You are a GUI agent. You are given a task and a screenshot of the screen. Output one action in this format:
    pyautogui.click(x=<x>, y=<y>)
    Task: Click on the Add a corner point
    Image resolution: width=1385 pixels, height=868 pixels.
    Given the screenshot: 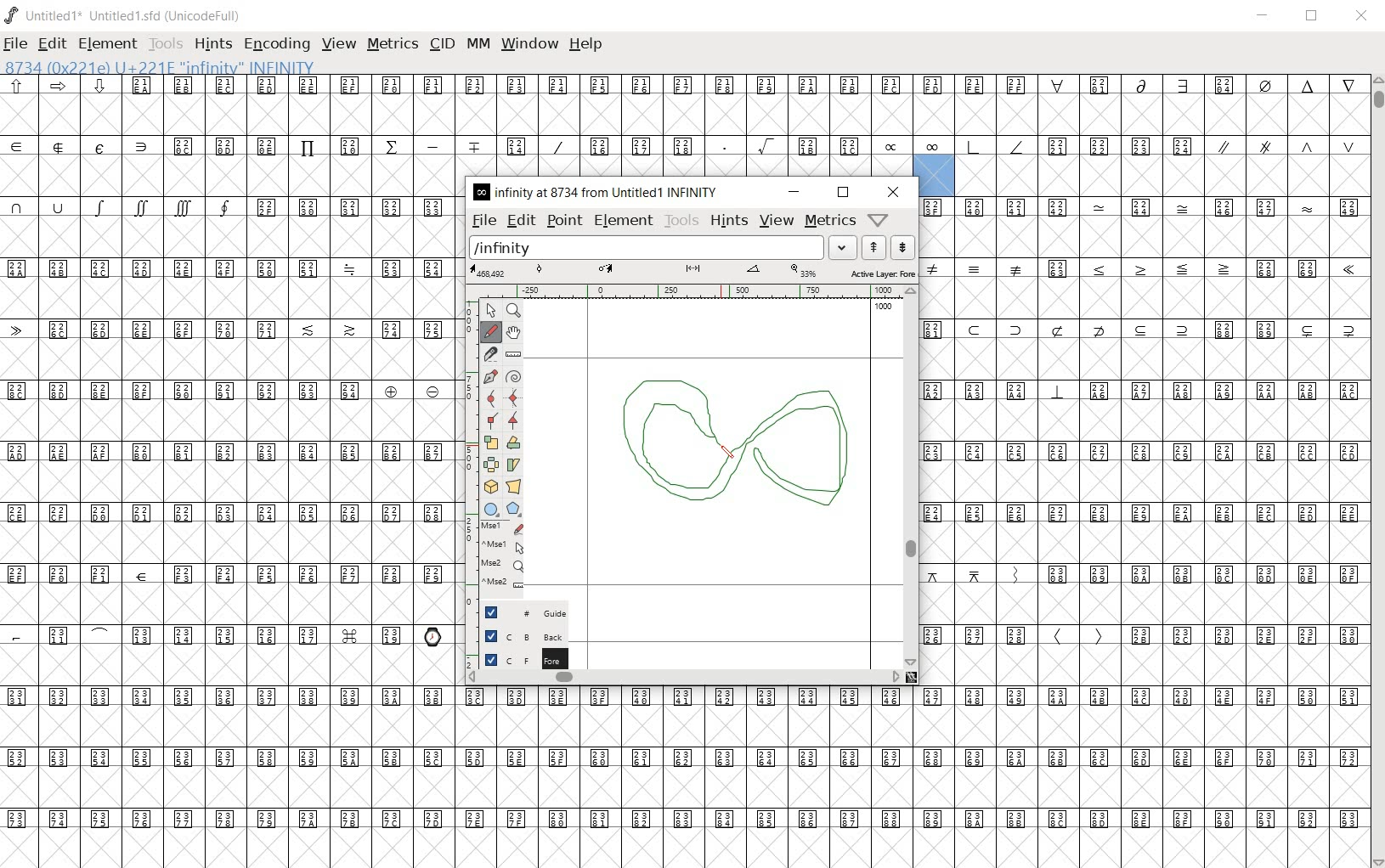 What is the action you would take?
    pyautogui.click(x=491, y=421)
    